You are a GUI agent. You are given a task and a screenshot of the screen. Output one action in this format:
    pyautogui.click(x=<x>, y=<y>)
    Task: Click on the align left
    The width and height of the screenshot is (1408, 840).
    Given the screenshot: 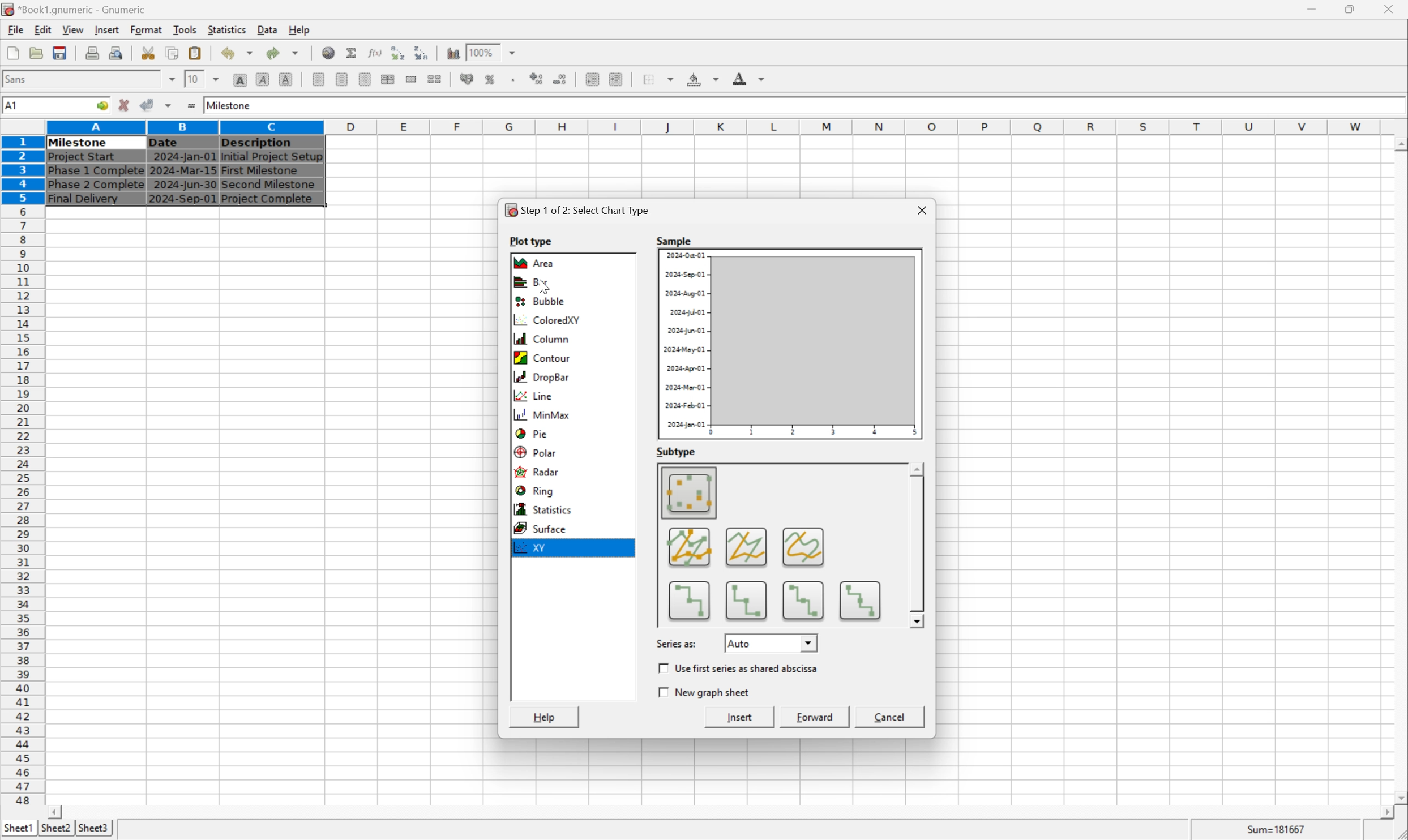 What is the action you would take?
    pyautogui.click(x=319, y=80)
    